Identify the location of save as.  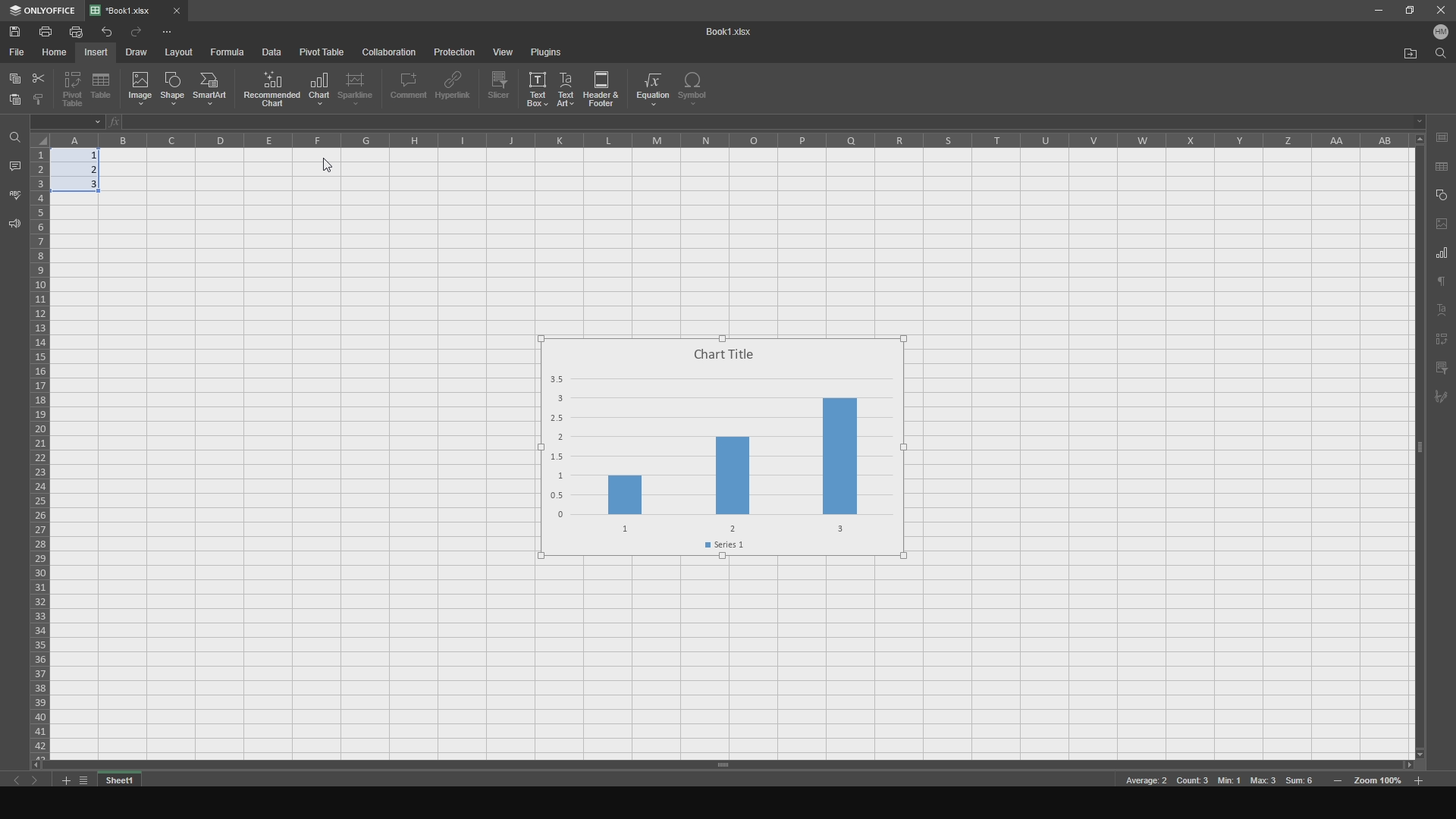
(1442, 166).